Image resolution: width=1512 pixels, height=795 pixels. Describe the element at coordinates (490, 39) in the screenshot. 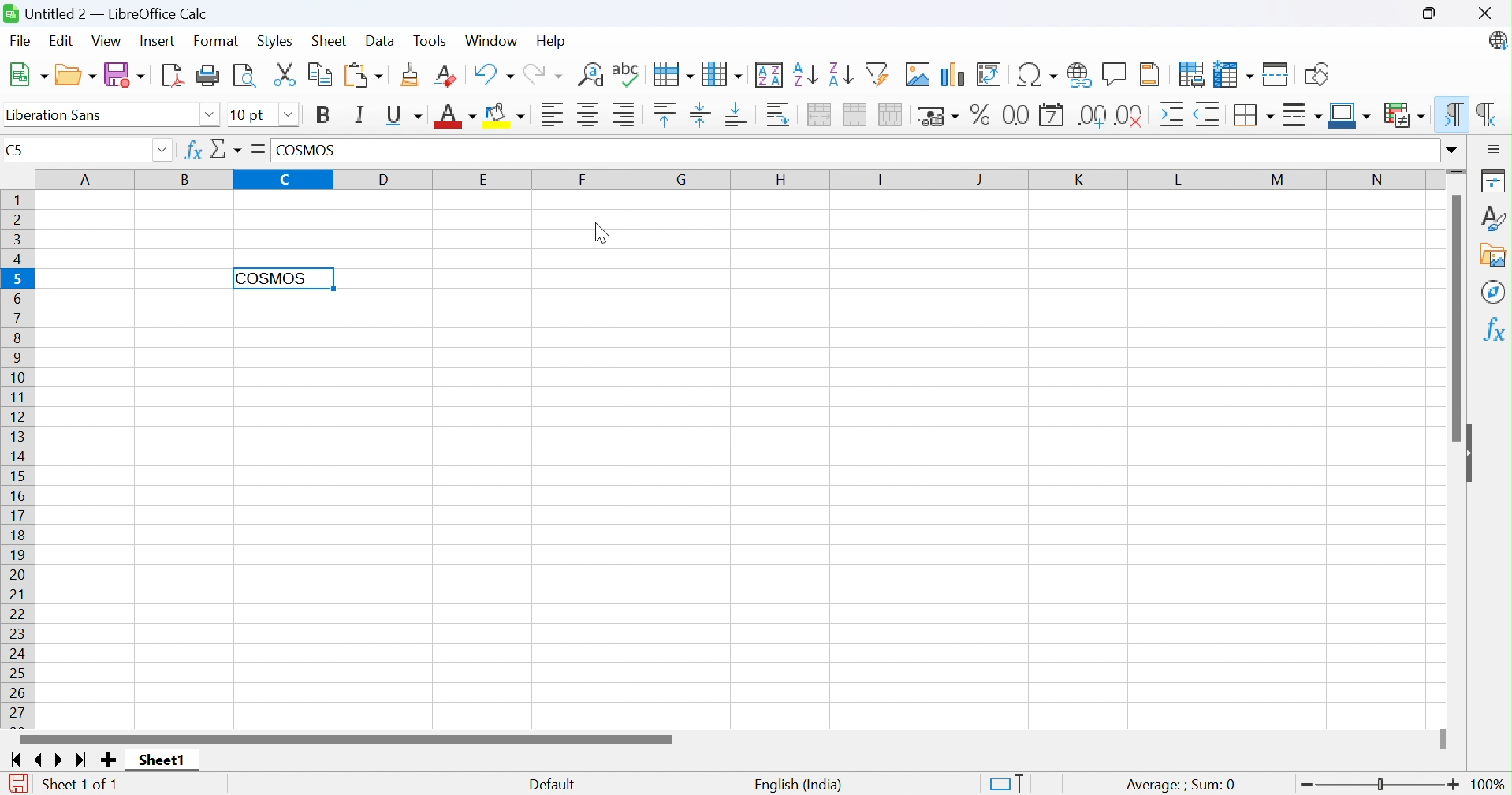

I see `Window` at that location.